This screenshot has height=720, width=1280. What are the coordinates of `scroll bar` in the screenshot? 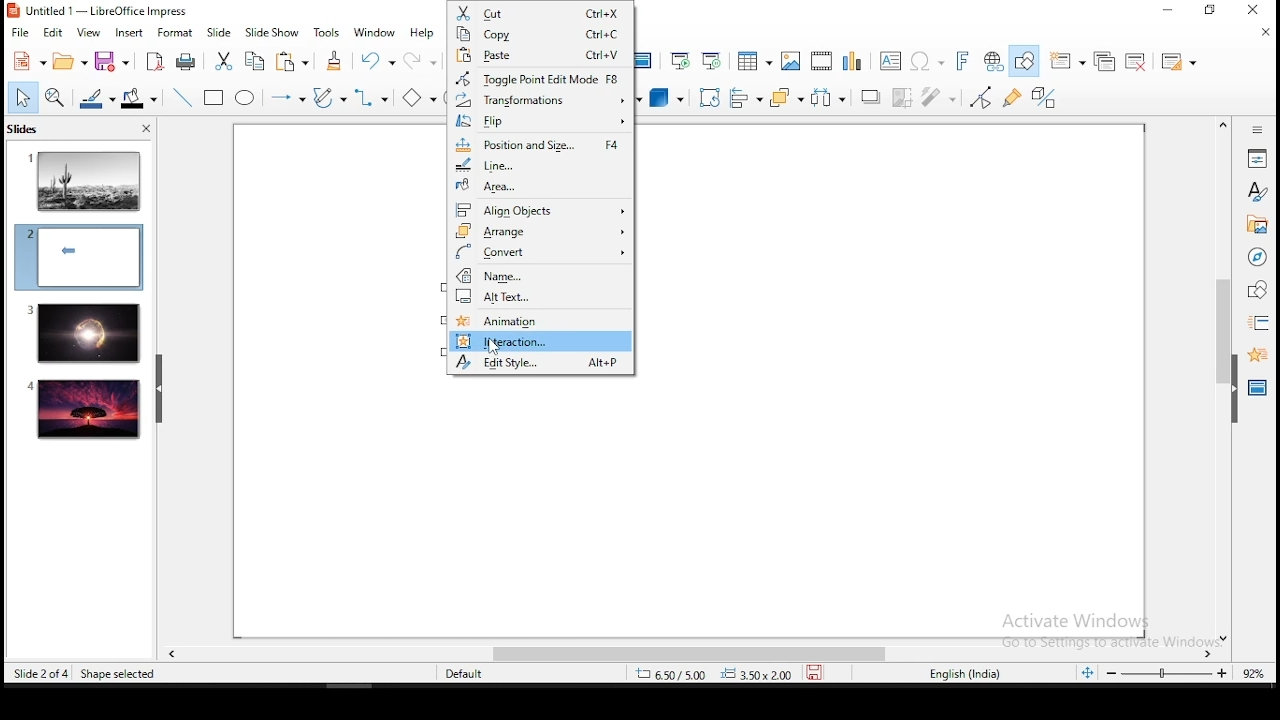 It's located at (1220, 380).